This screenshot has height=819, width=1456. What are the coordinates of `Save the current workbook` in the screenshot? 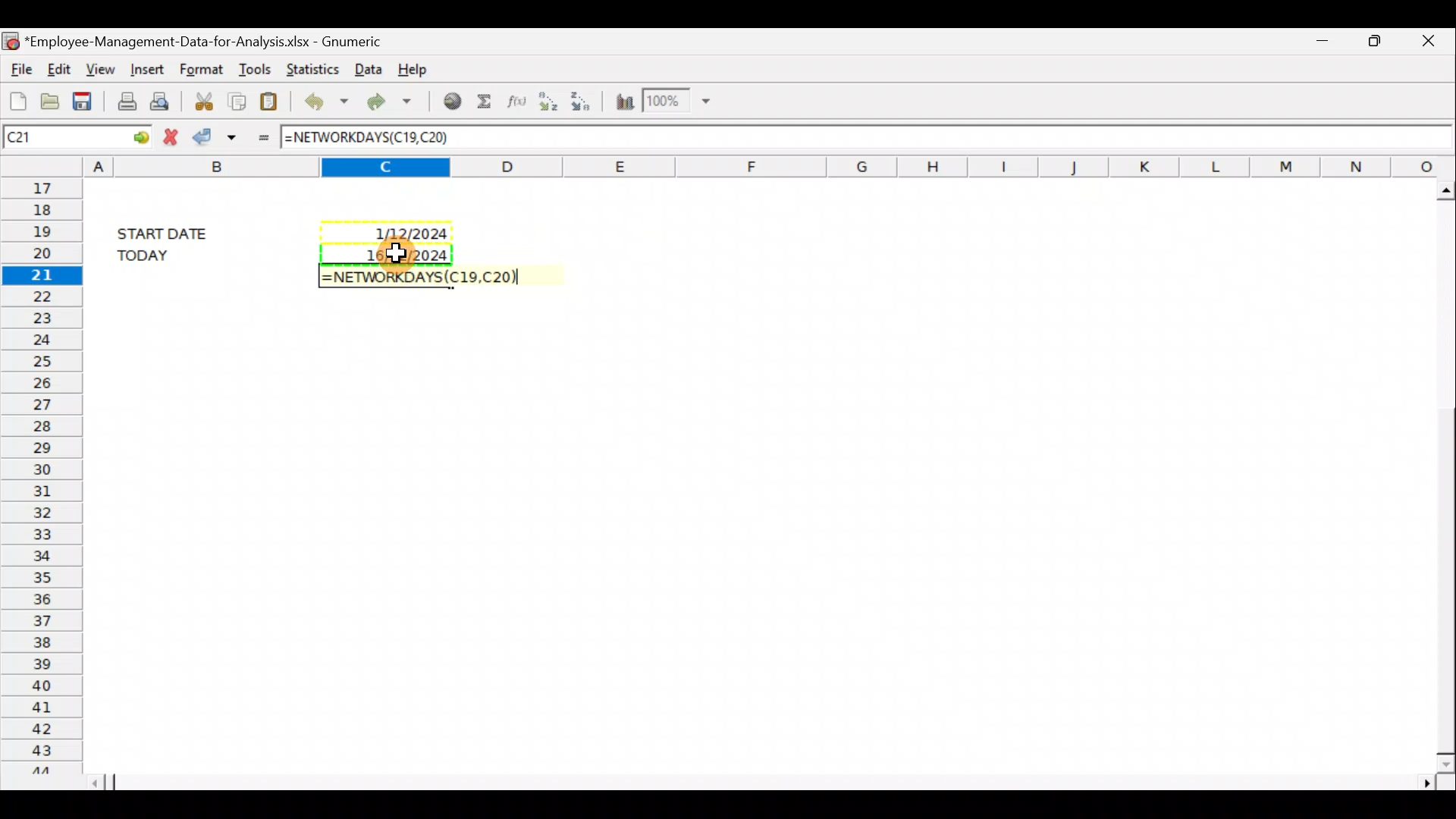 It's located at (85, 99).